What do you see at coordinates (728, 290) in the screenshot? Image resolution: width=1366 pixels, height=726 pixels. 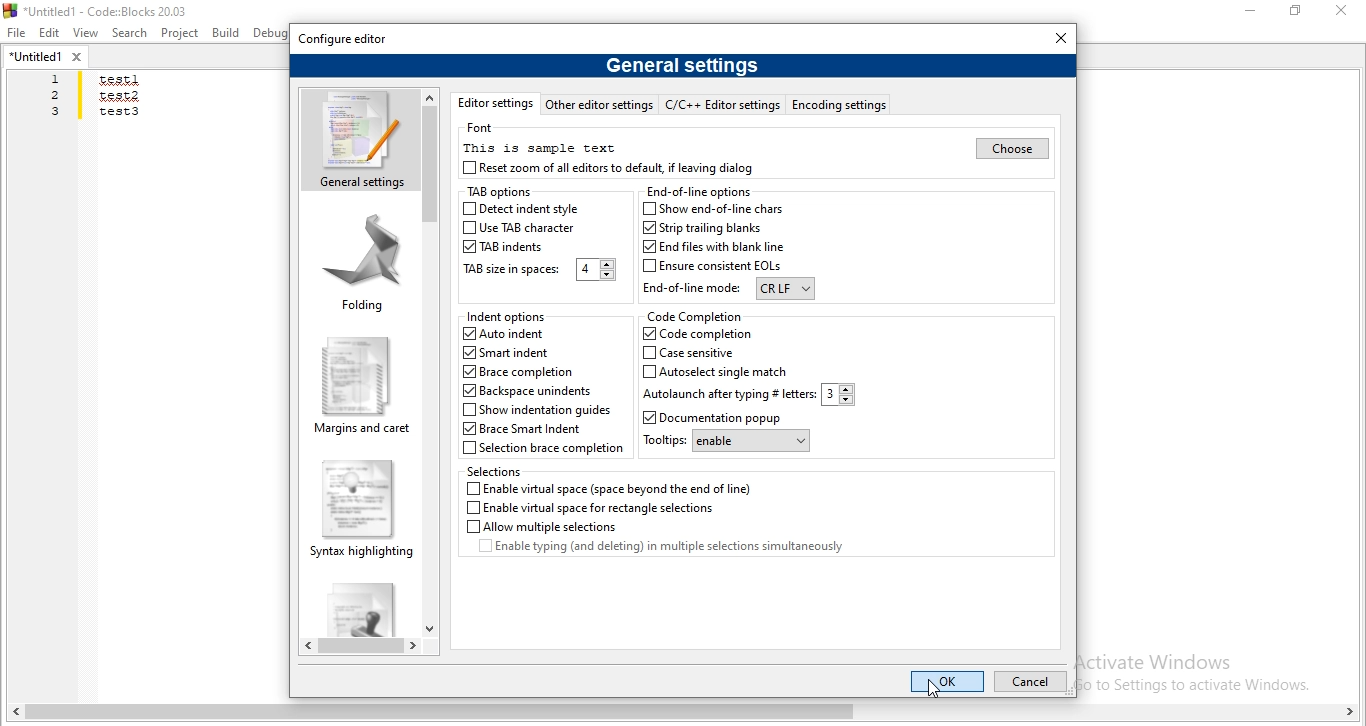 I see `End-of-line mode:` at bounding box center [728, 290].